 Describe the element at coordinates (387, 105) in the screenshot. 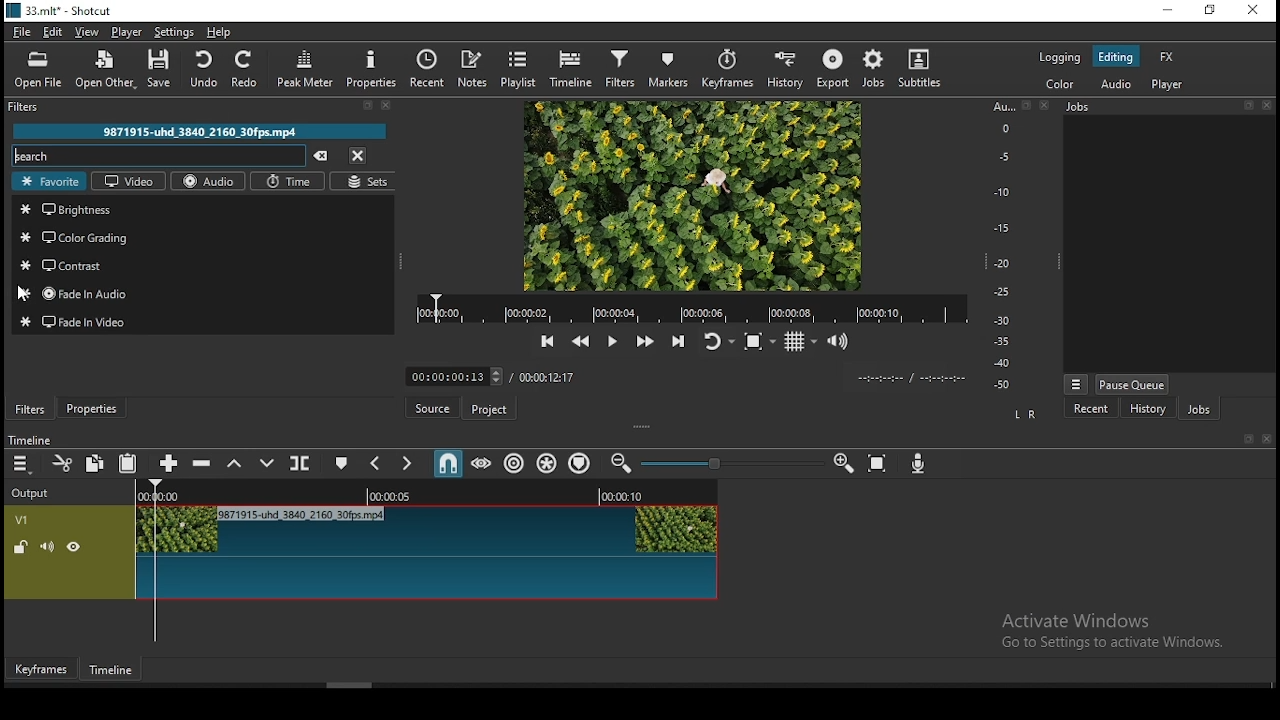

I see `close` at that location.